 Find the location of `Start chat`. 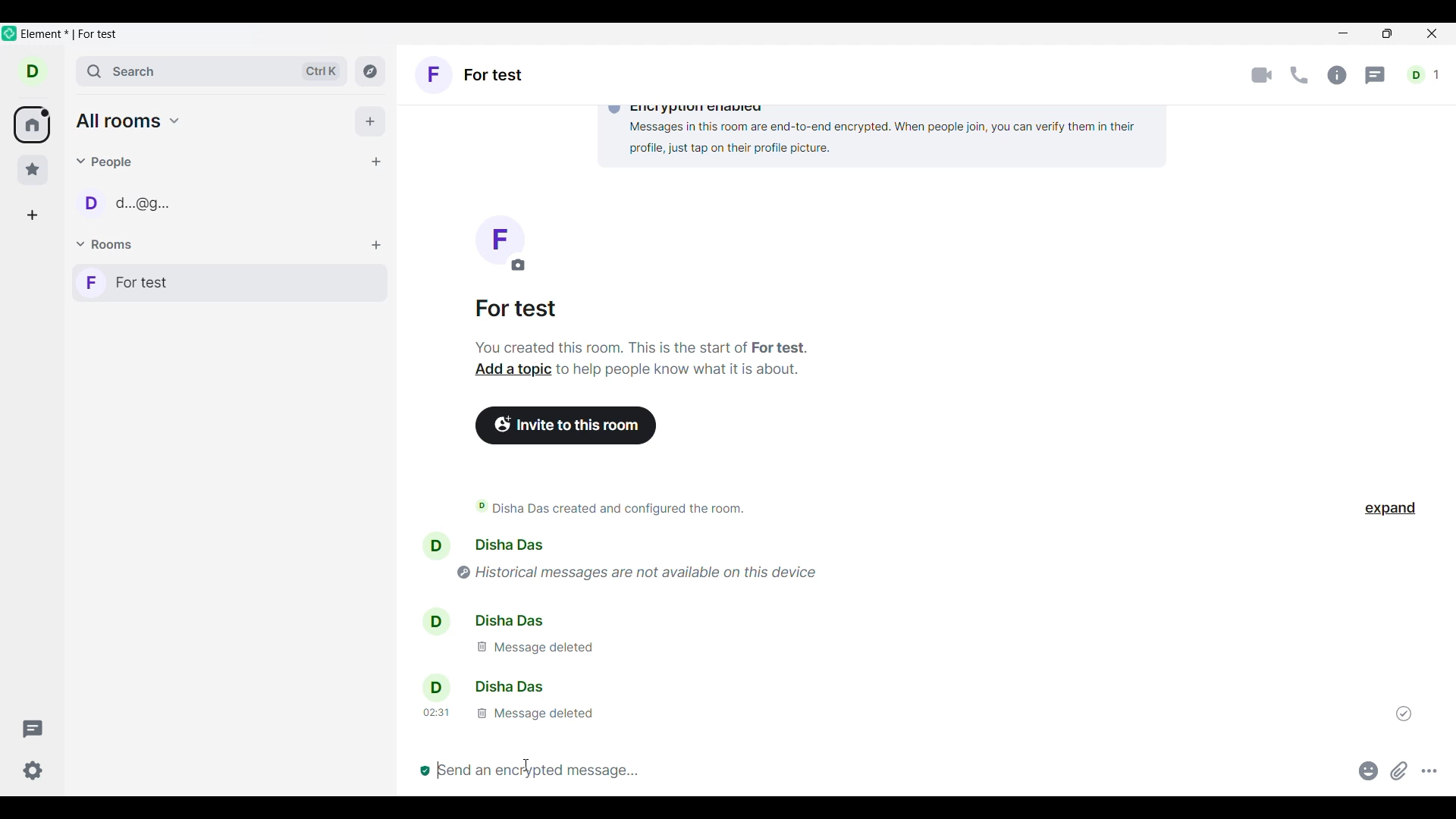

Start chat is located at coordinates (375, 162).